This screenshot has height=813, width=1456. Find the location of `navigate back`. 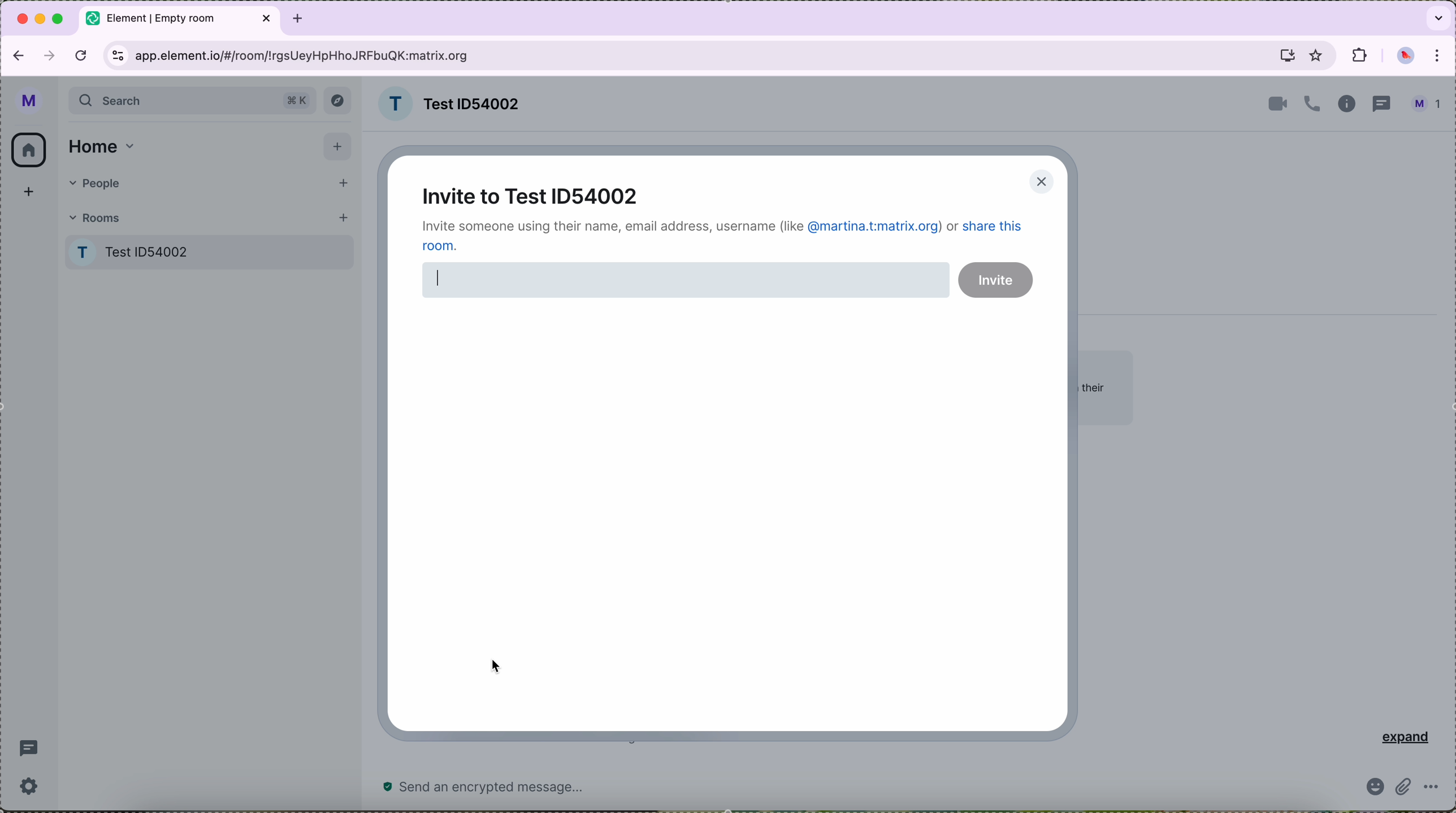

navigate back is located at coordinates (16, 56).